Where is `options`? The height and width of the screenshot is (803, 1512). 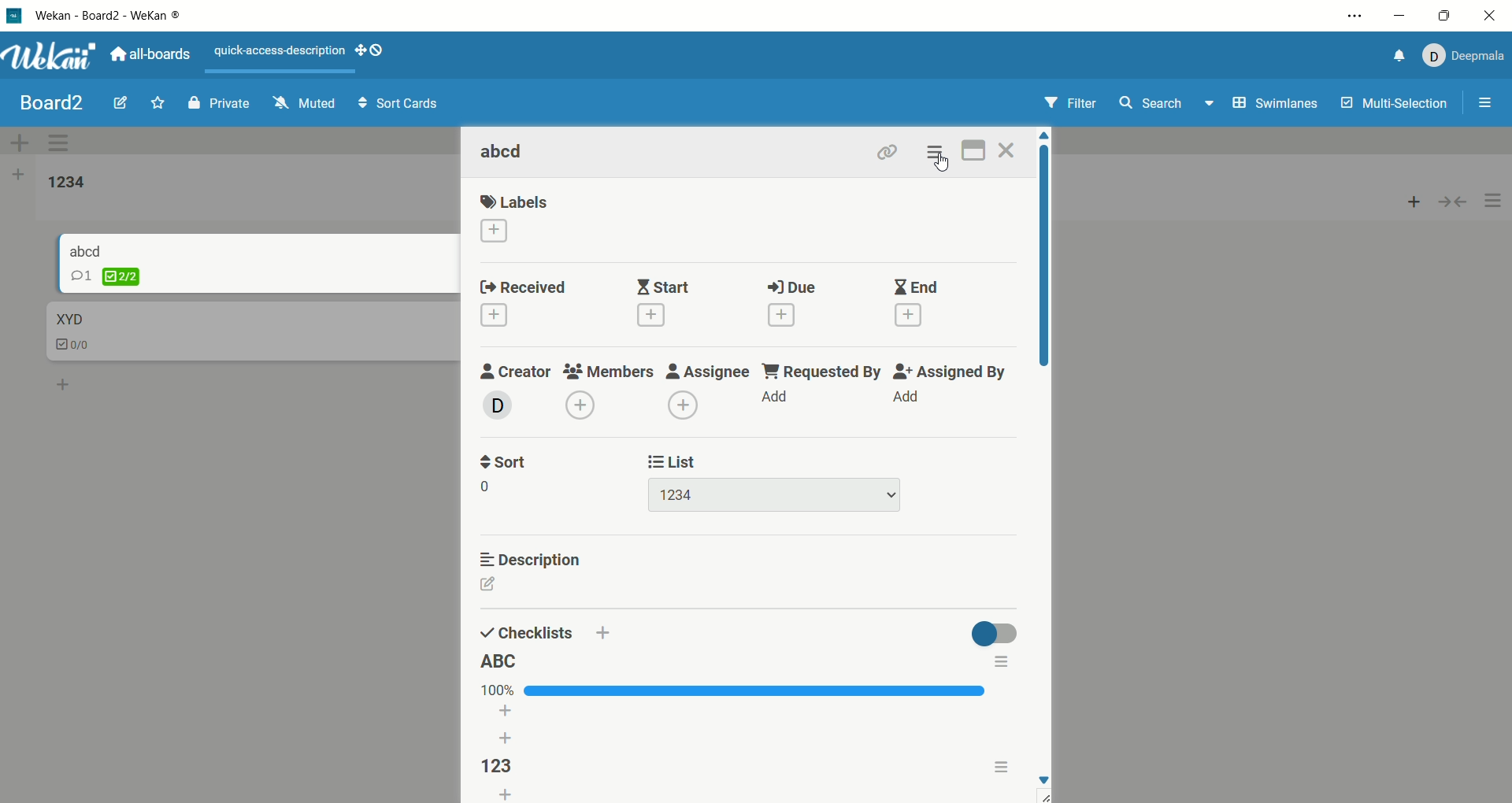
options is located at coordinates (1486, 98).